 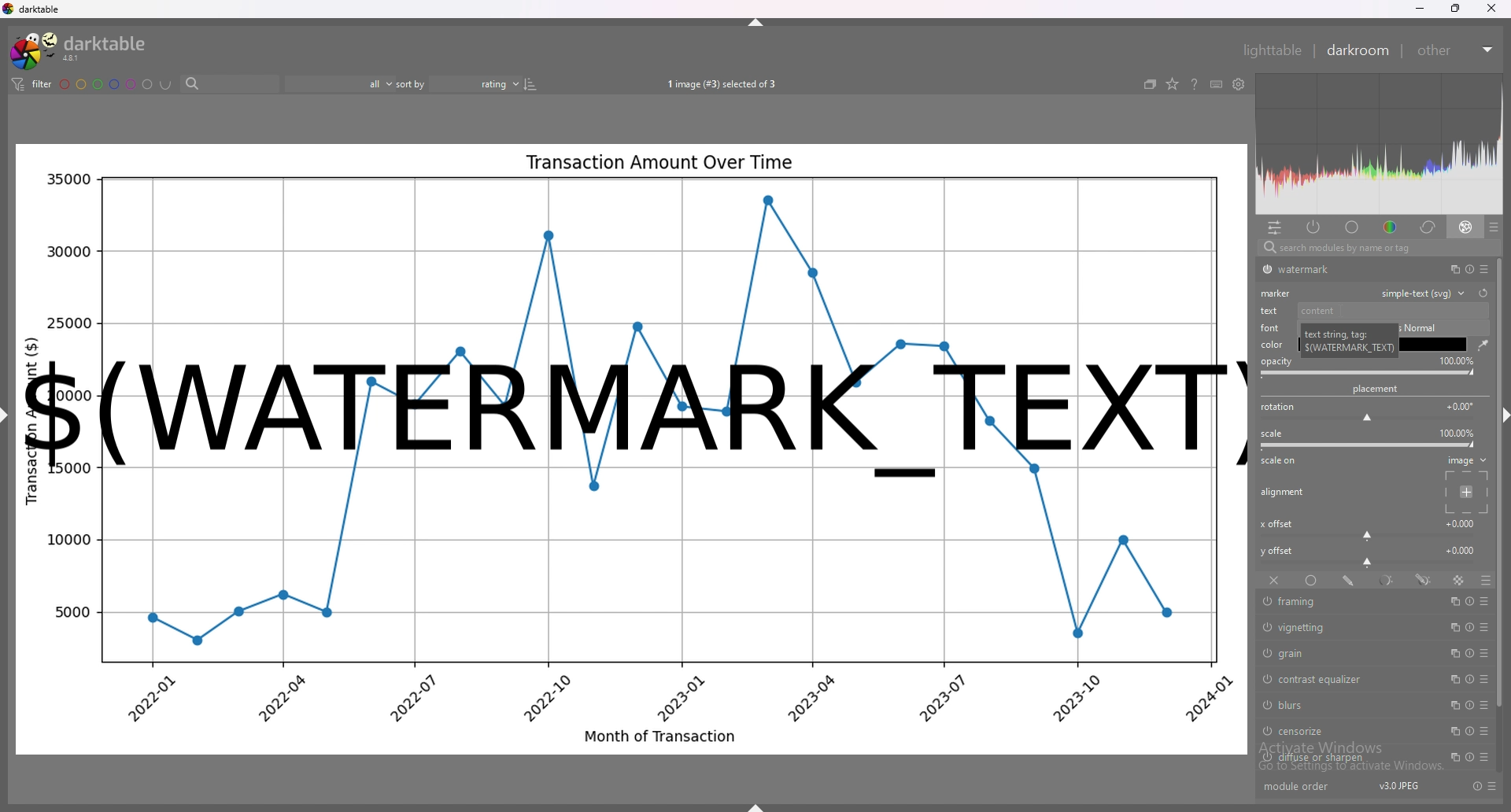 What do you see at coordinates (1502, 486) in the screenshot?
I see `scroll bar` at bounding box center [1502, 486].